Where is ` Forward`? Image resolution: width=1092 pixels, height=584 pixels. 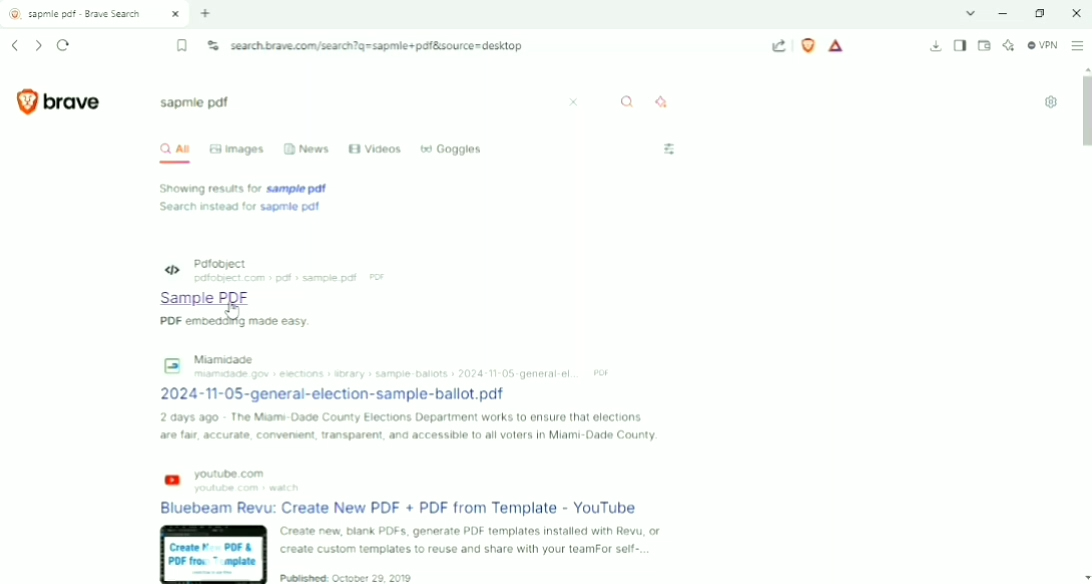  Forward is located at coordinates (38, 46).